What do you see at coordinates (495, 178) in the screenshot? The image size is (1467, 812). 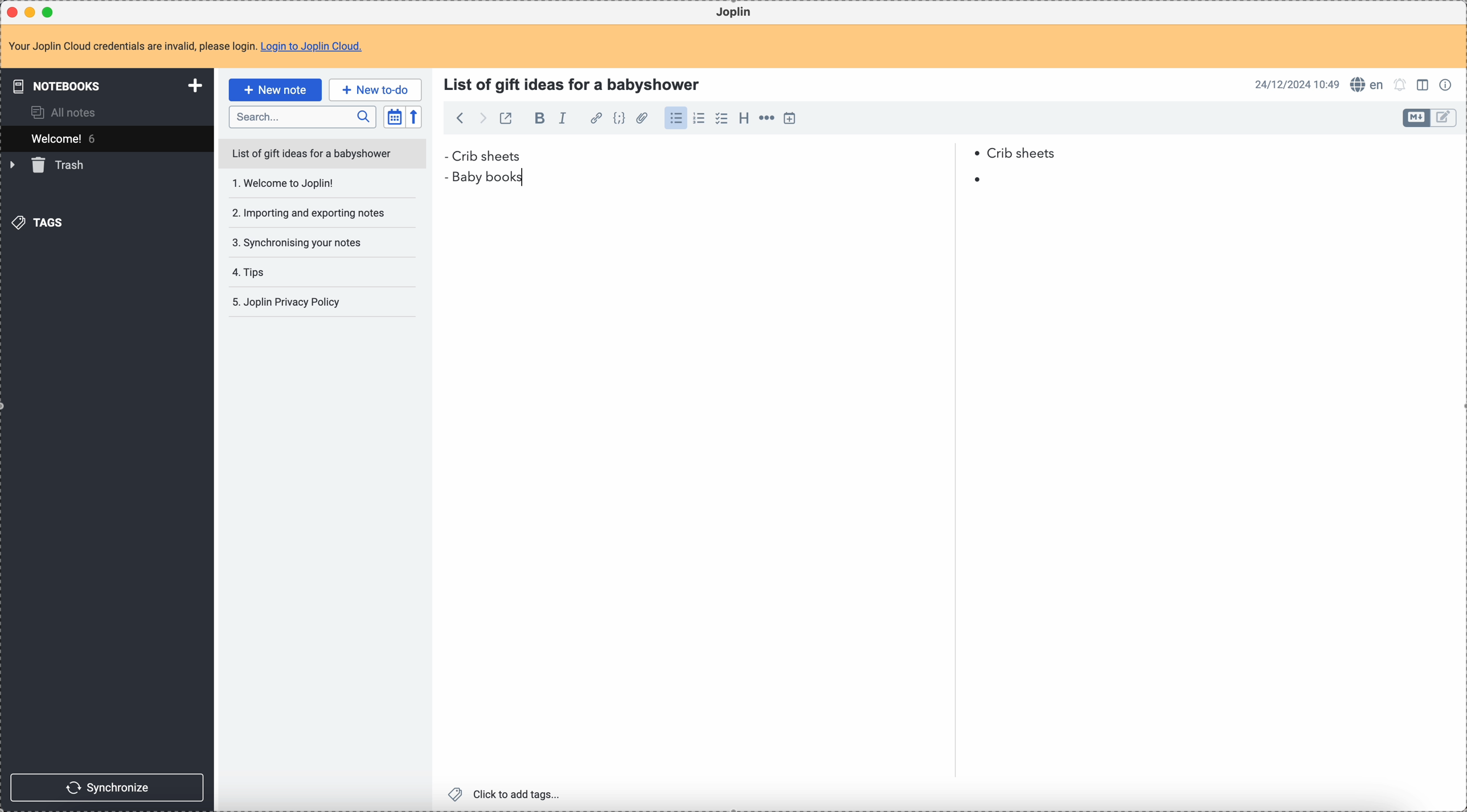 I see `baby books` at bounding box center [495, 178].